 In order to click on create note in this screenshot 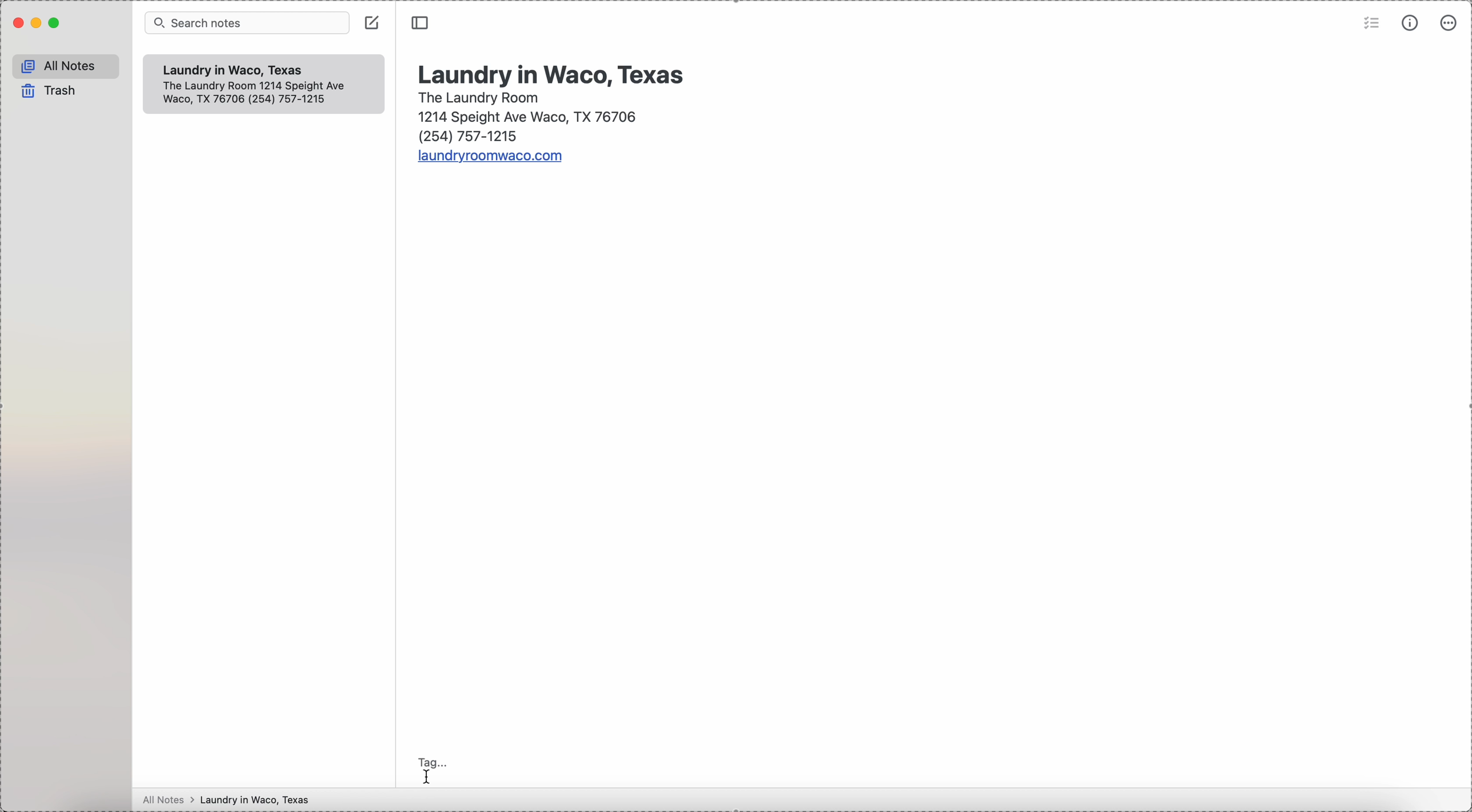, I will do `click(372, 23)`.